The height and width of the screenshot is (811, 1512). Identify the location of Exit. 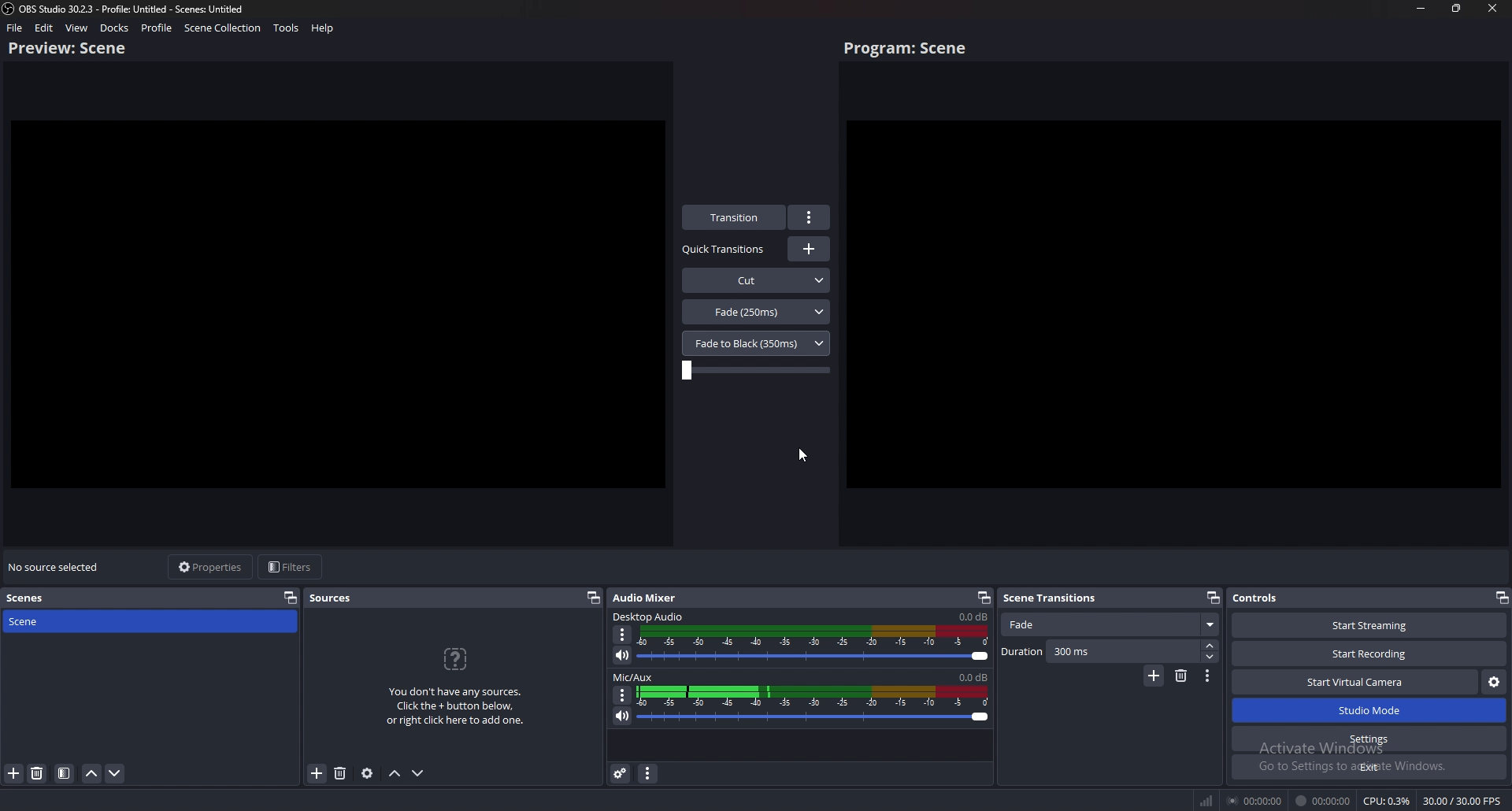
(1369, 767).